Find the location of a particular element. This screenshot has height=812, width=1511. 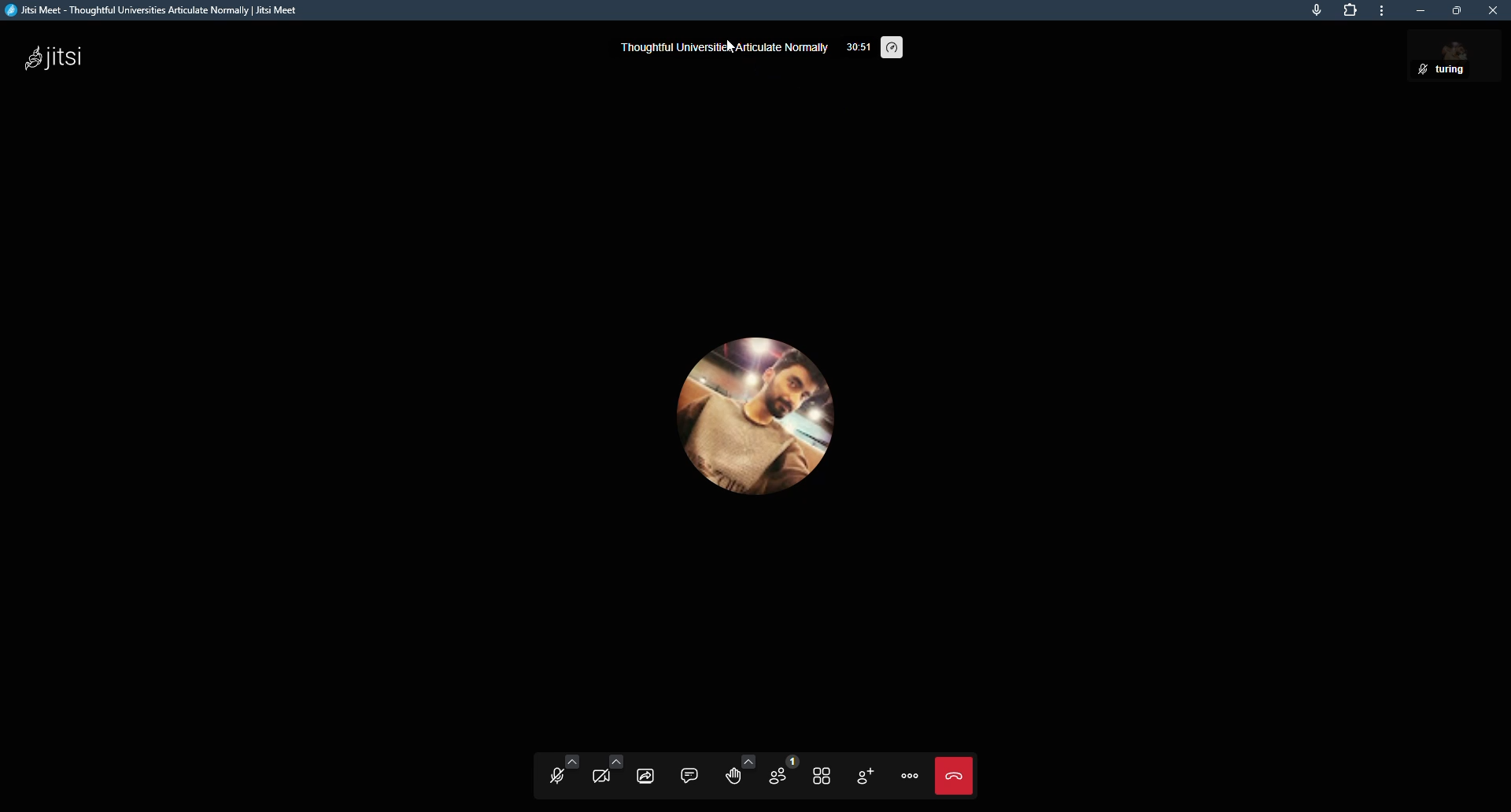

this page is accessing your mic is located at coordinates (1316, 11).